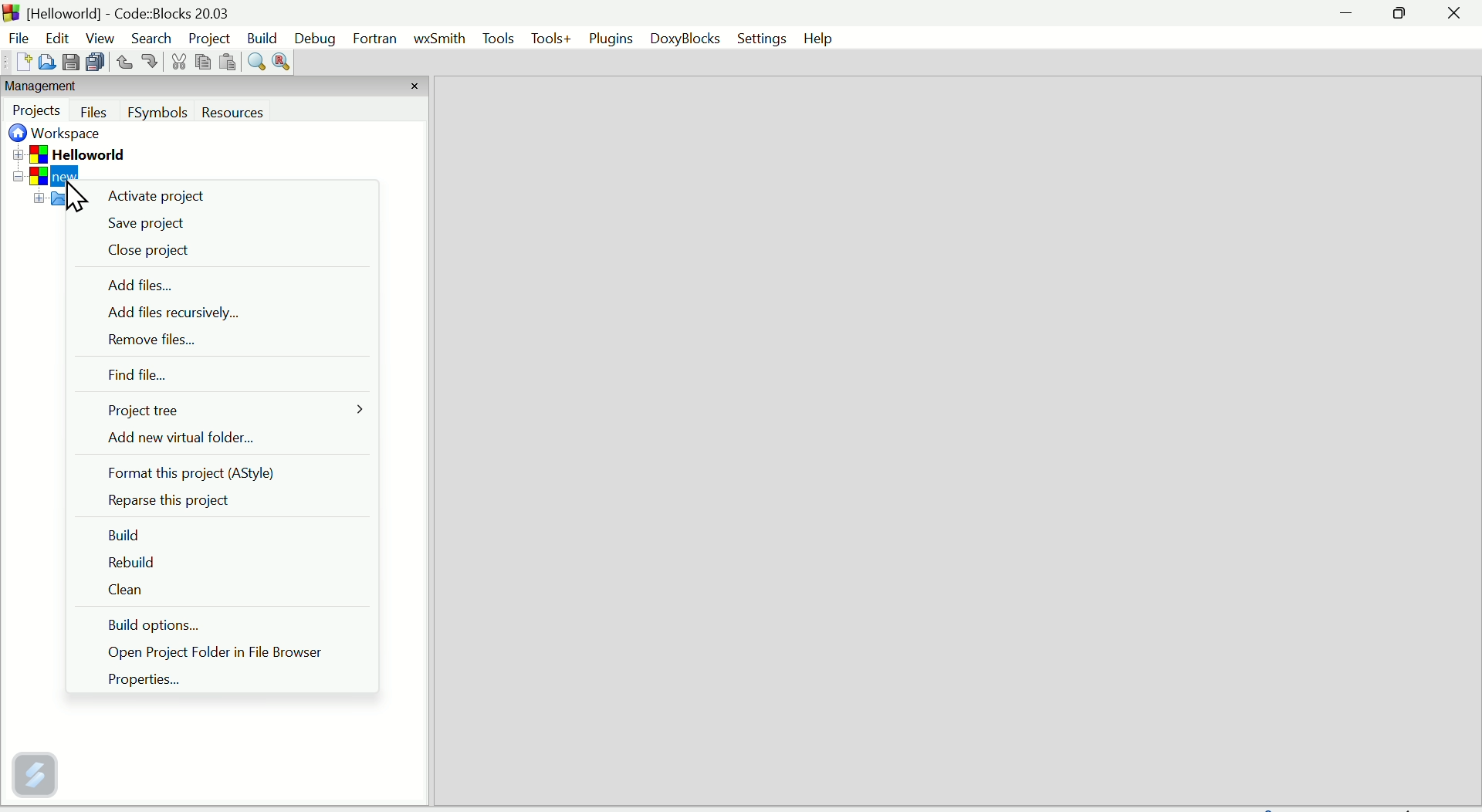 The width and height of the screenshot is (1482, 812). Describe the element at coordinates (201, 62) in the screenshot. I see `Copy` at that location.